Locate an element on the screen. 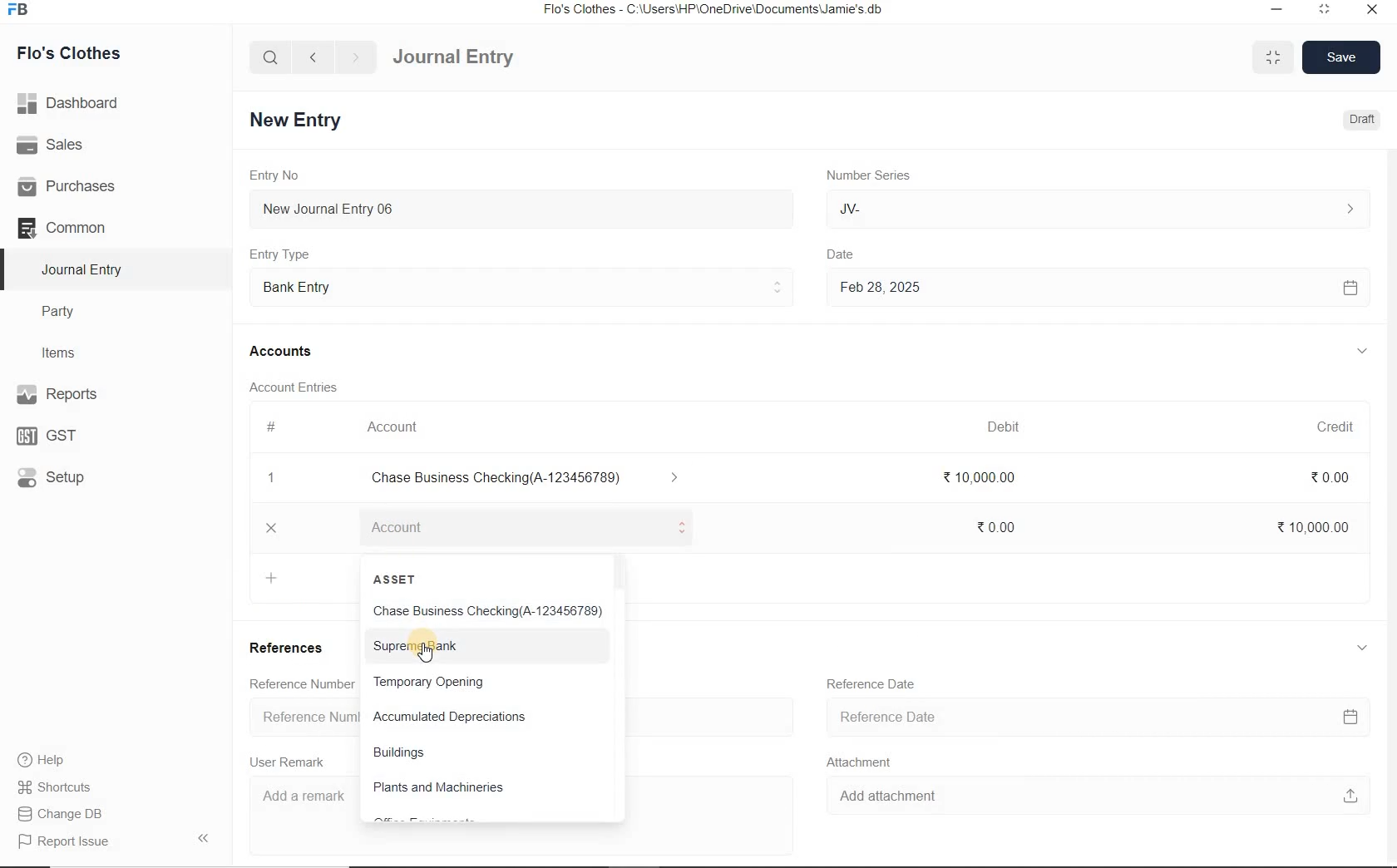 The image size is (1397, 868). minimise/maximise is located at coordinates (1274, 58).